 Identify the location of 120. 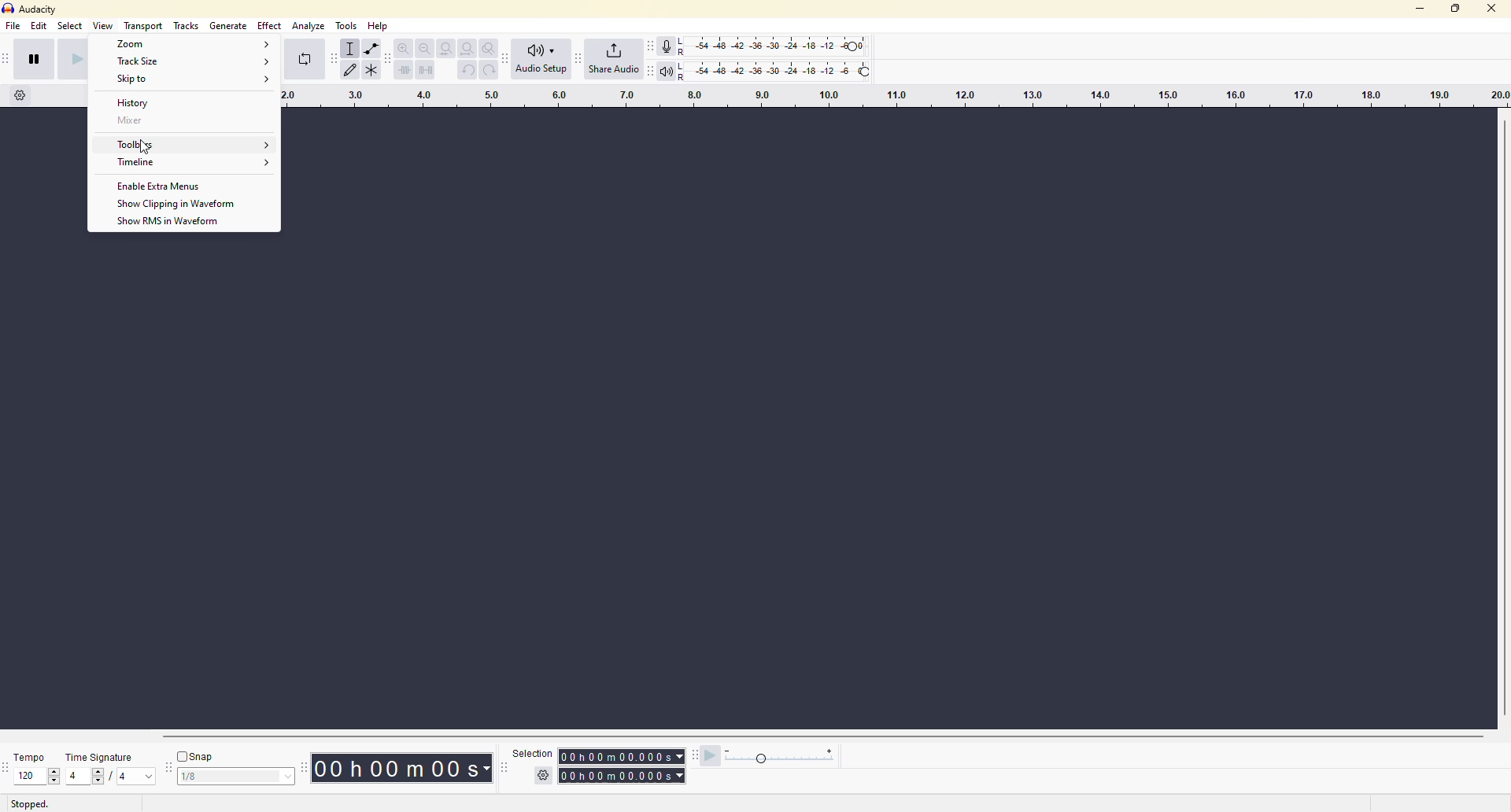
(24, 777).